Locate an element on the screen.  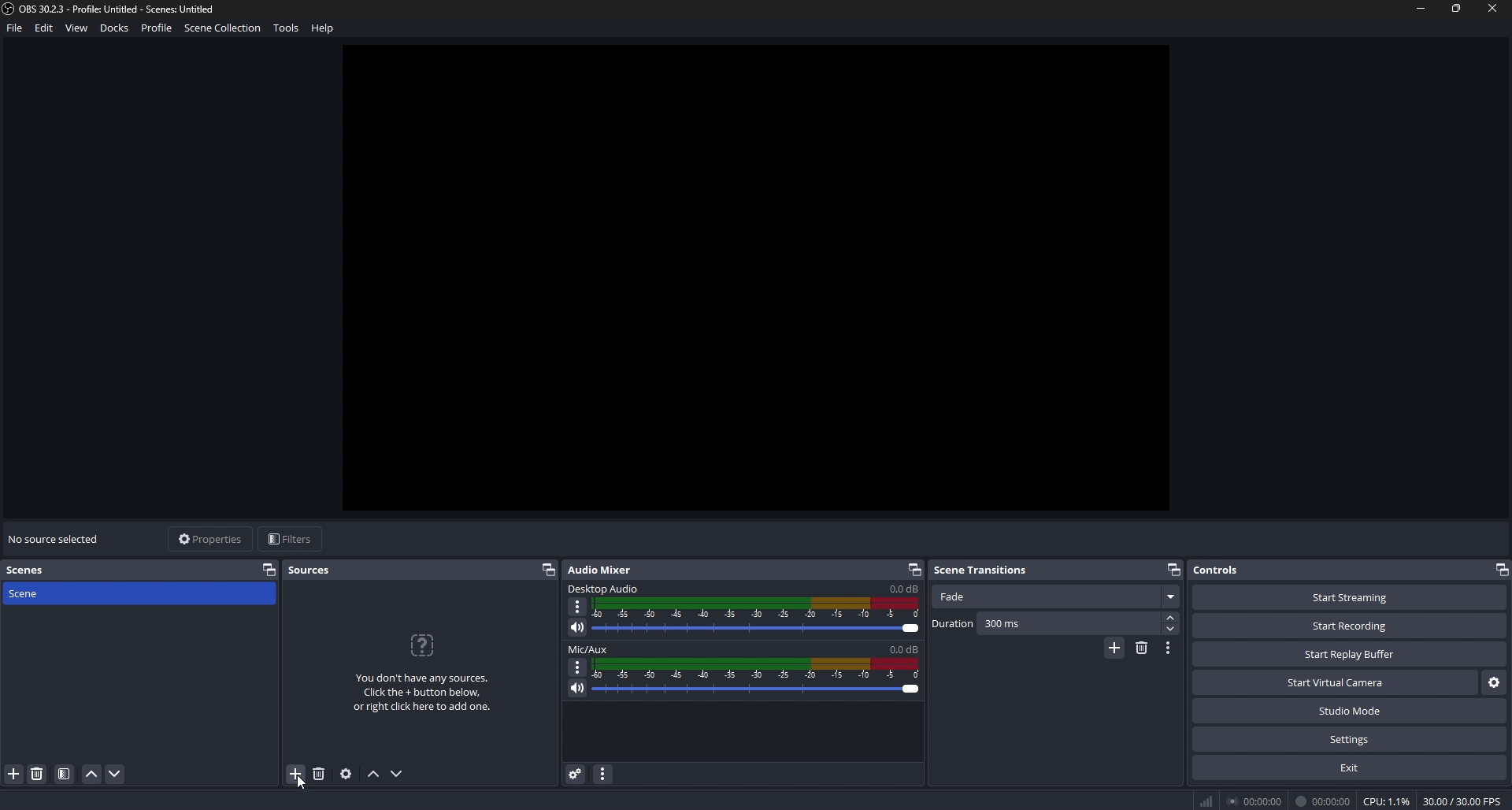
exit is located at coordinates (1349, 767).